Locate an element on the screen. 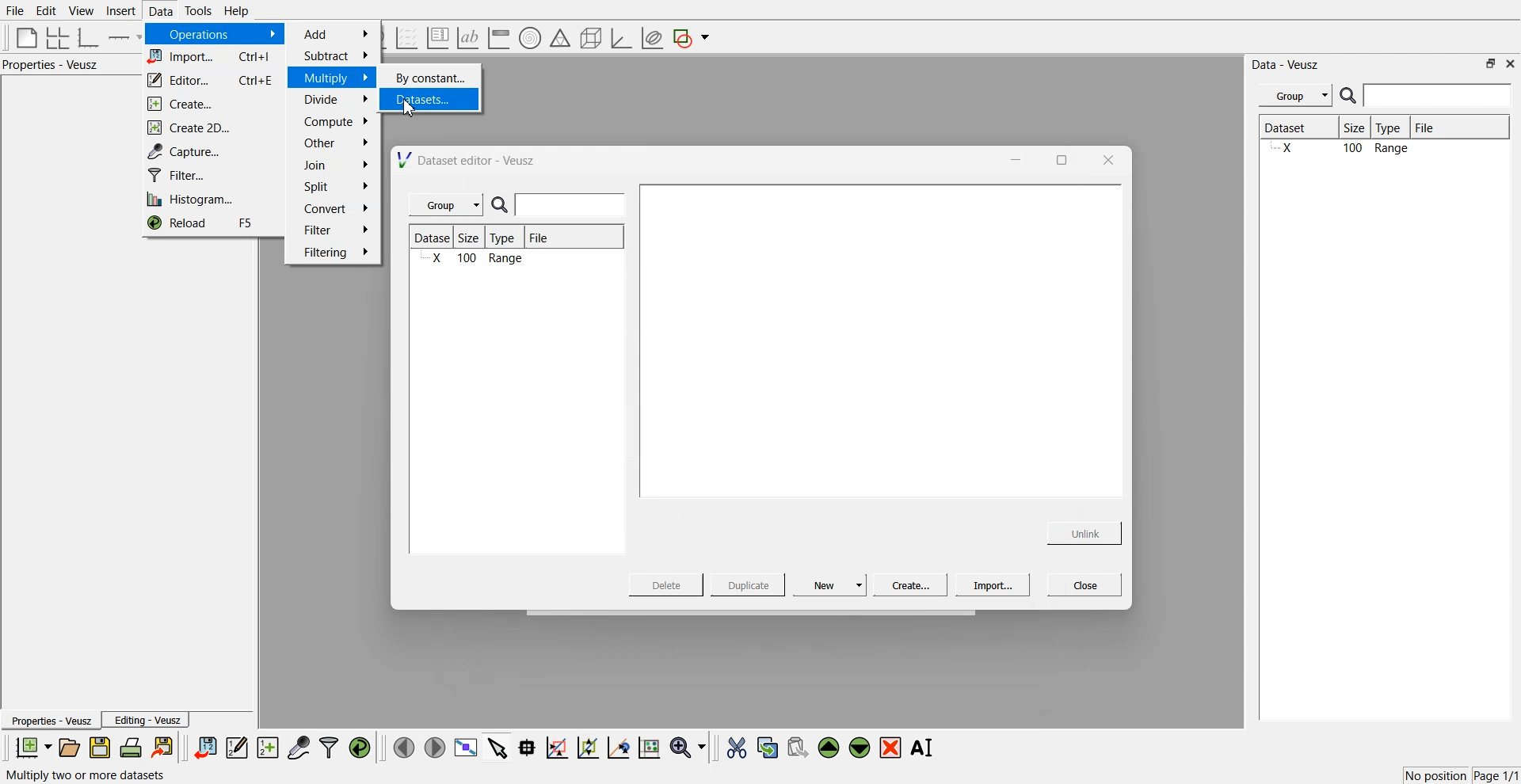  Add is located at coordinates (337, 34).